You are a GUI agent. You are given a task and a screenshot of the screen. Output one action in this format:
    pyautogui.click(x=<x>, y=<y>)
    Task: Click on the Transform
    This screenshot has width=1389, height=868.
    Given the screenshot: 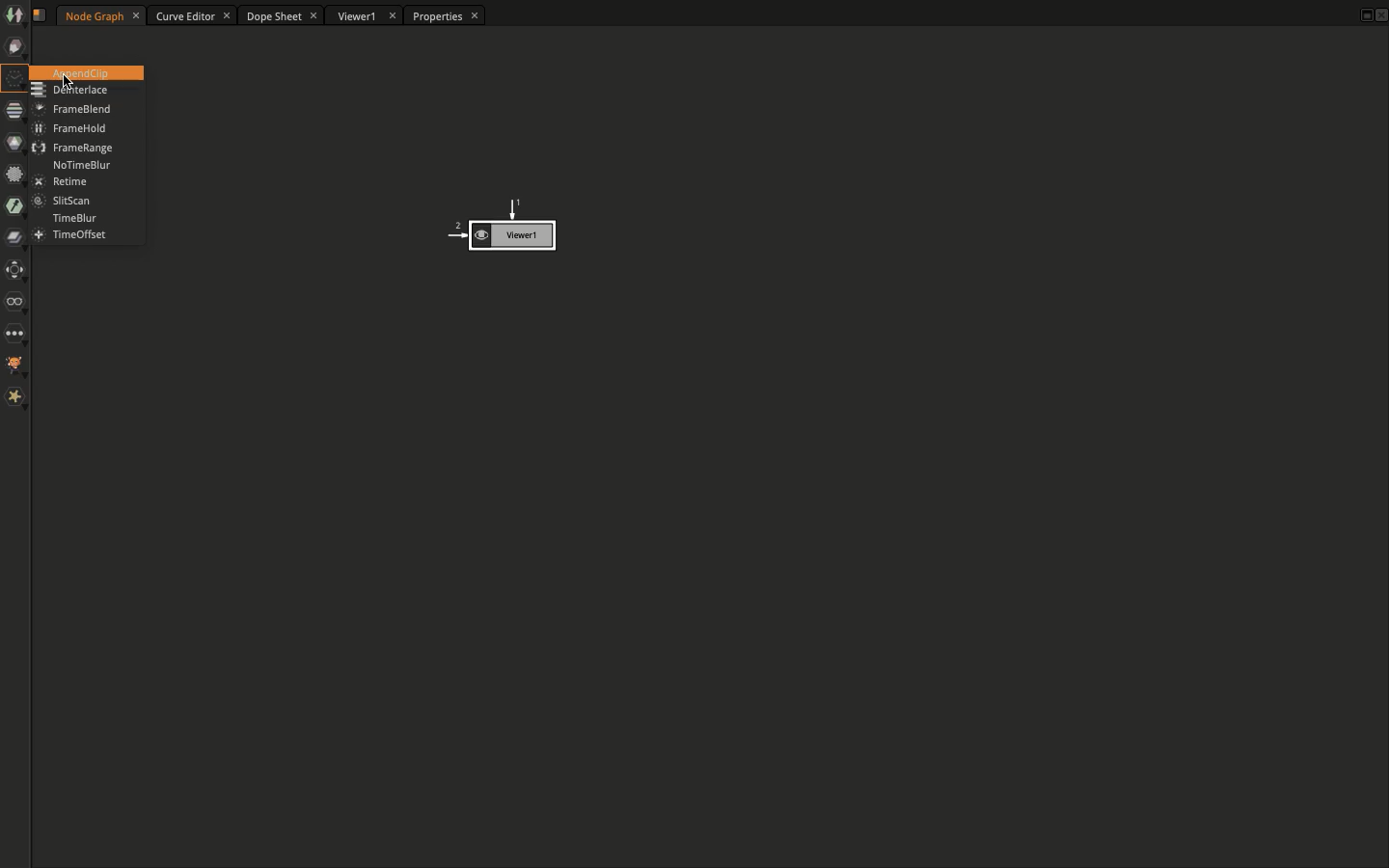 What is the action you would take?
    pyautogui.click(x=15, y=272)
    